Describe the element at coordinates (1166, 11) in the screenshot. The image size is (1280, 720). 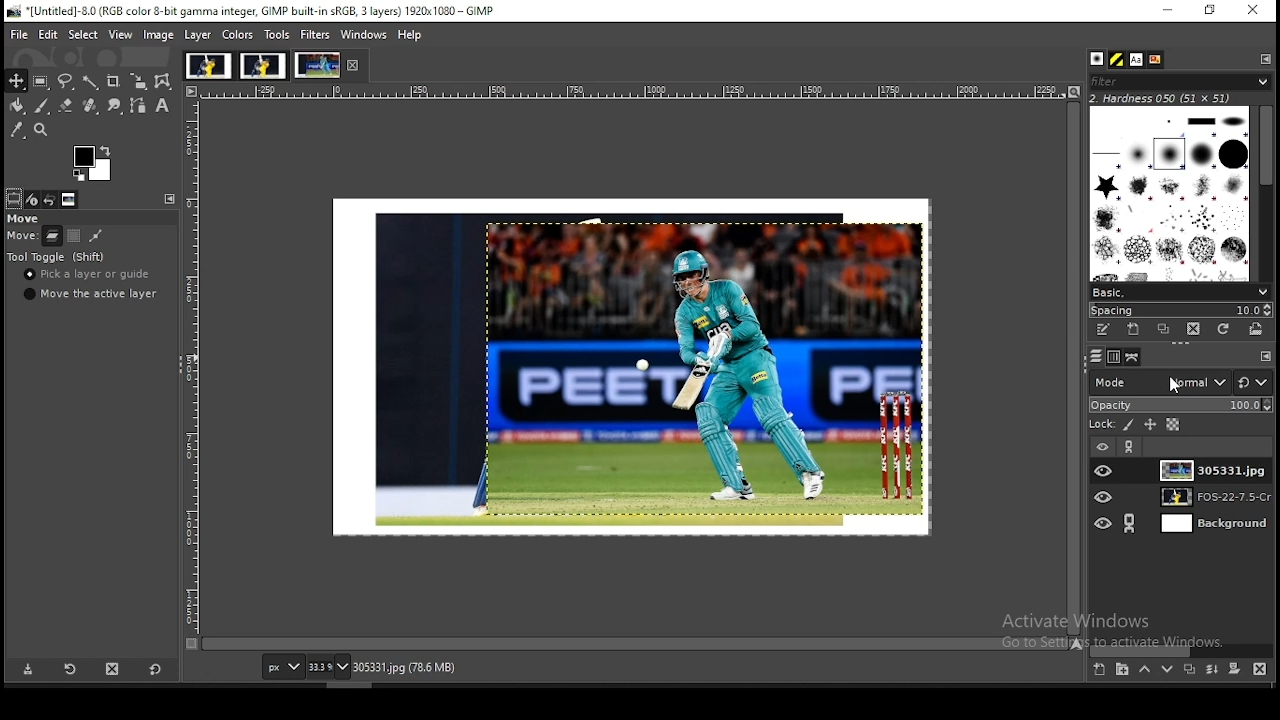
I see `minimize` at that location.